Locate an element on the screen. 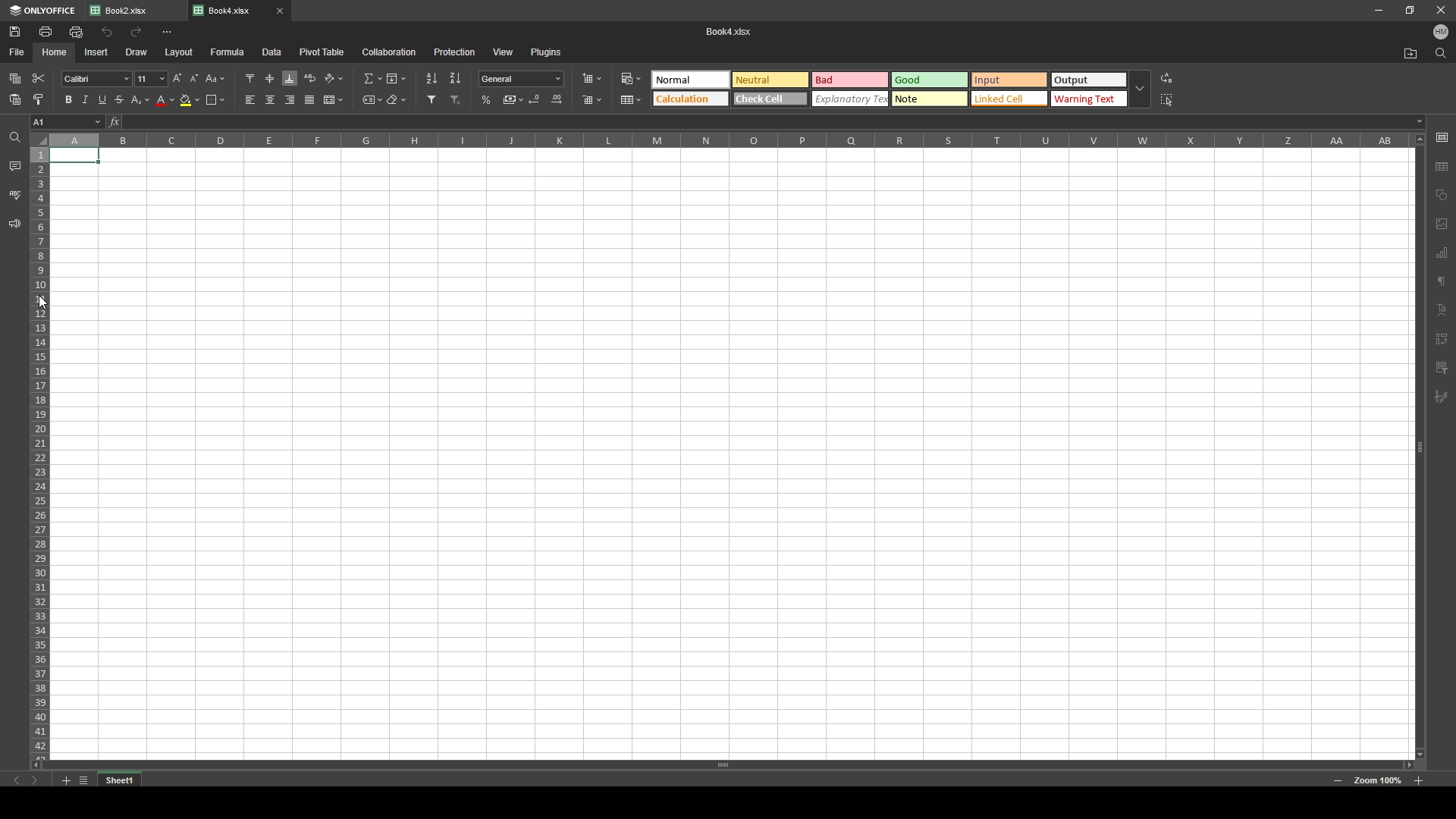 The height and width of the screenshot is (819, 1456). align right is located at coordinates (290, 99).